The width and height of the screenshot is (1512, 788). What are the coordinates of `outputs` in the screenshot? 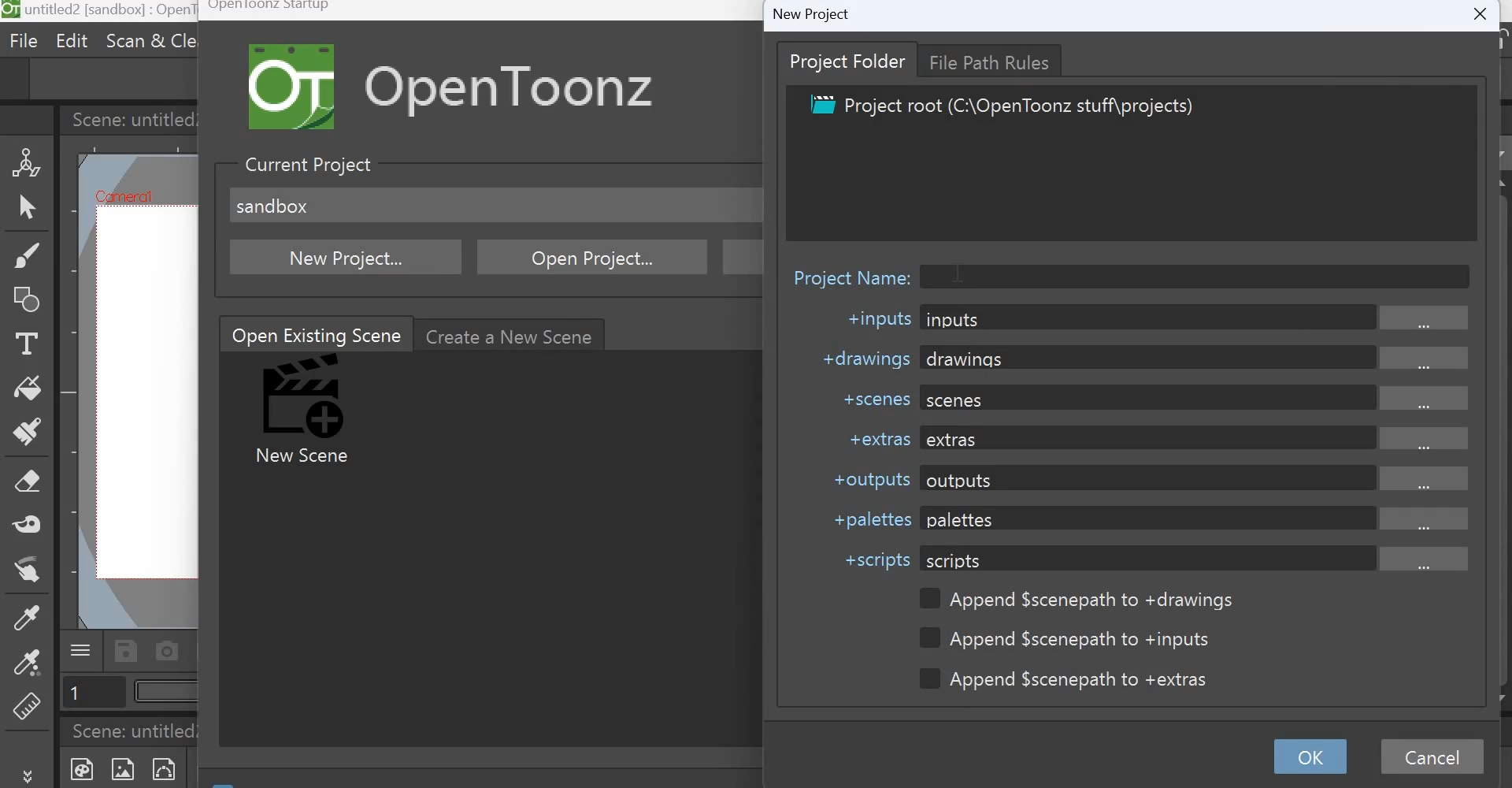 It's located at (1196, 478).